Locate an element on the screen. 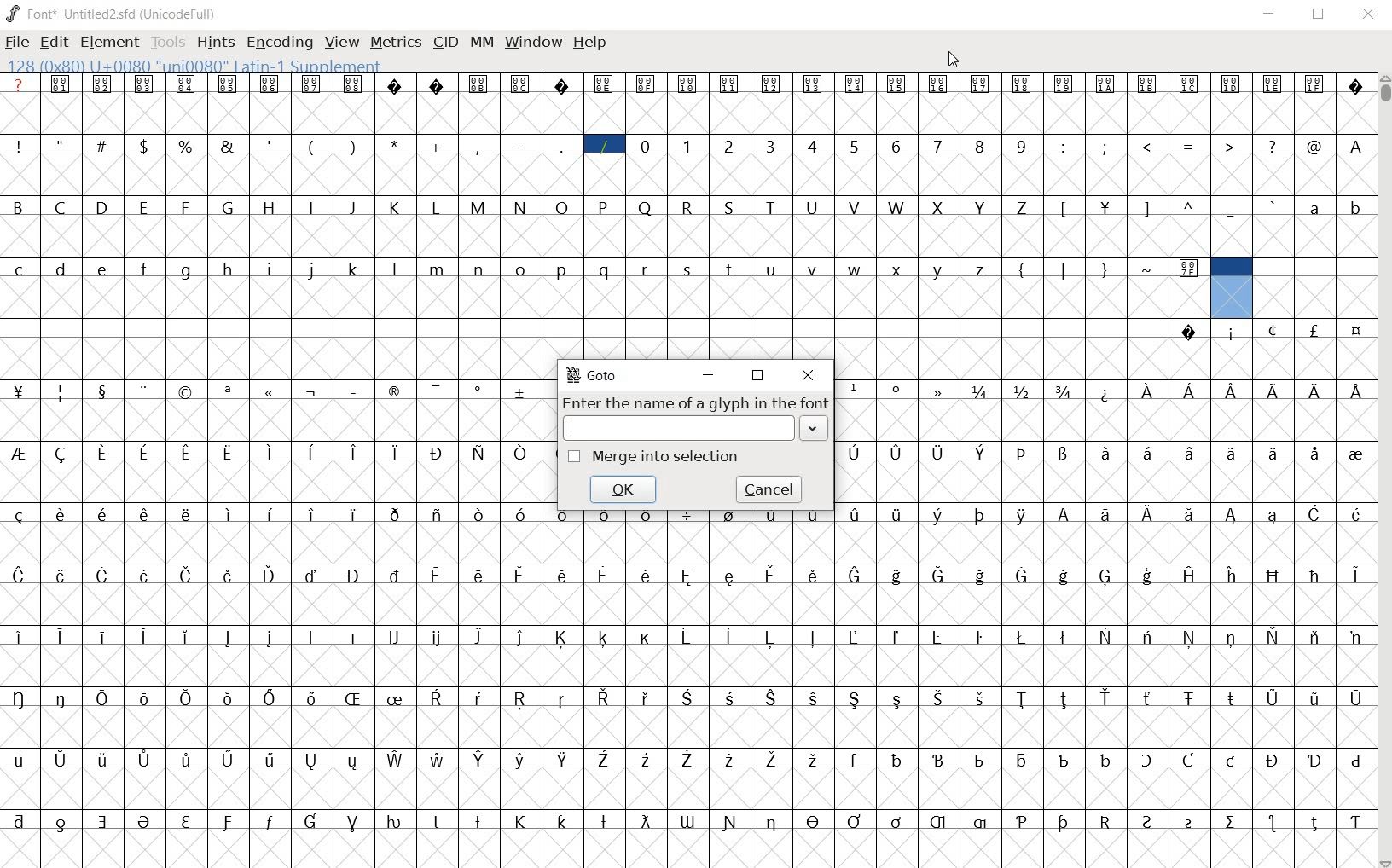 The width and height of the screenshot is (1392, 868). Symbol is located at coordinates (647, 513).